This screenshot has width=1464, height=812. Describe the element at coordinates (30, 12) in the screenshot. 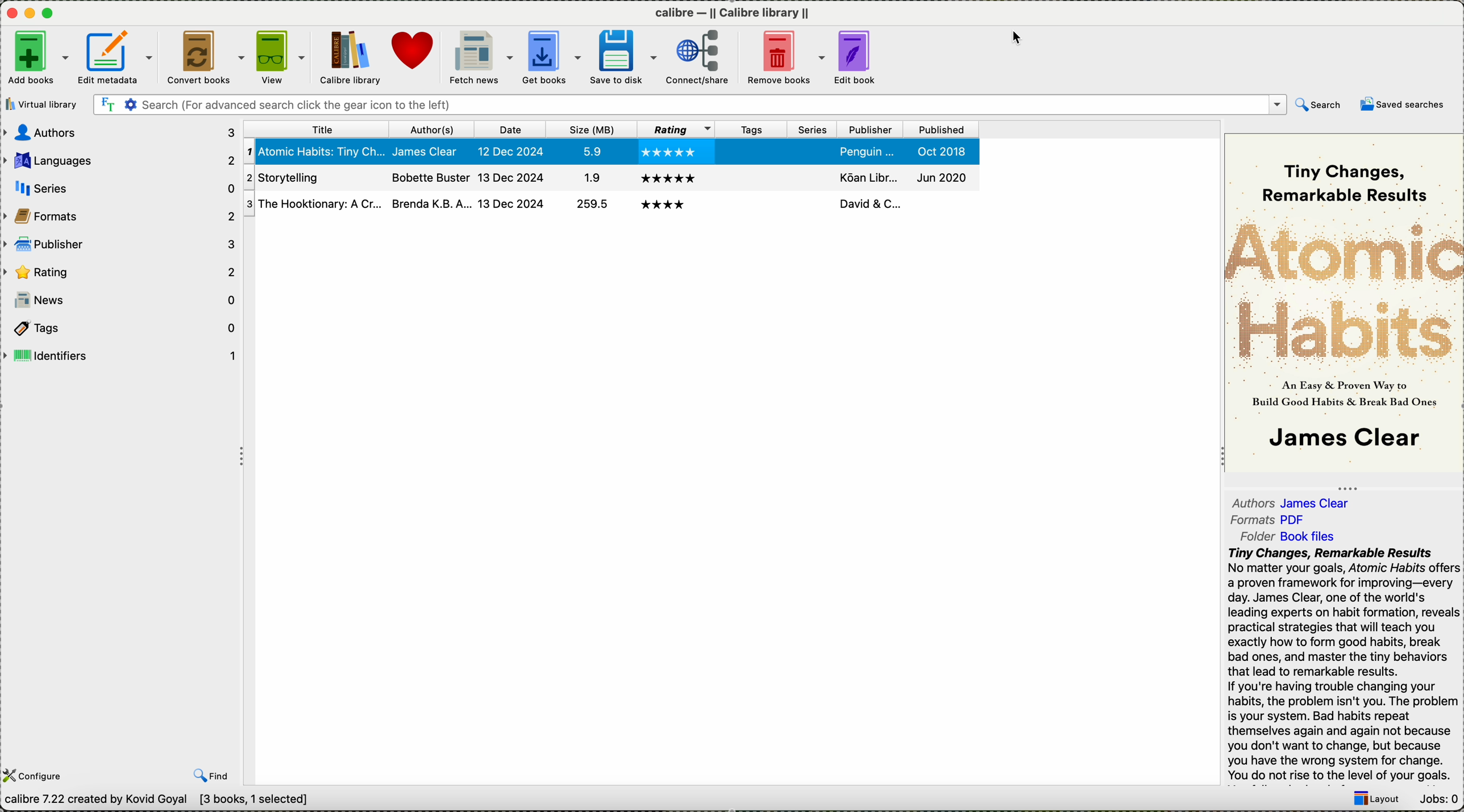

I see `minimize` at that location.